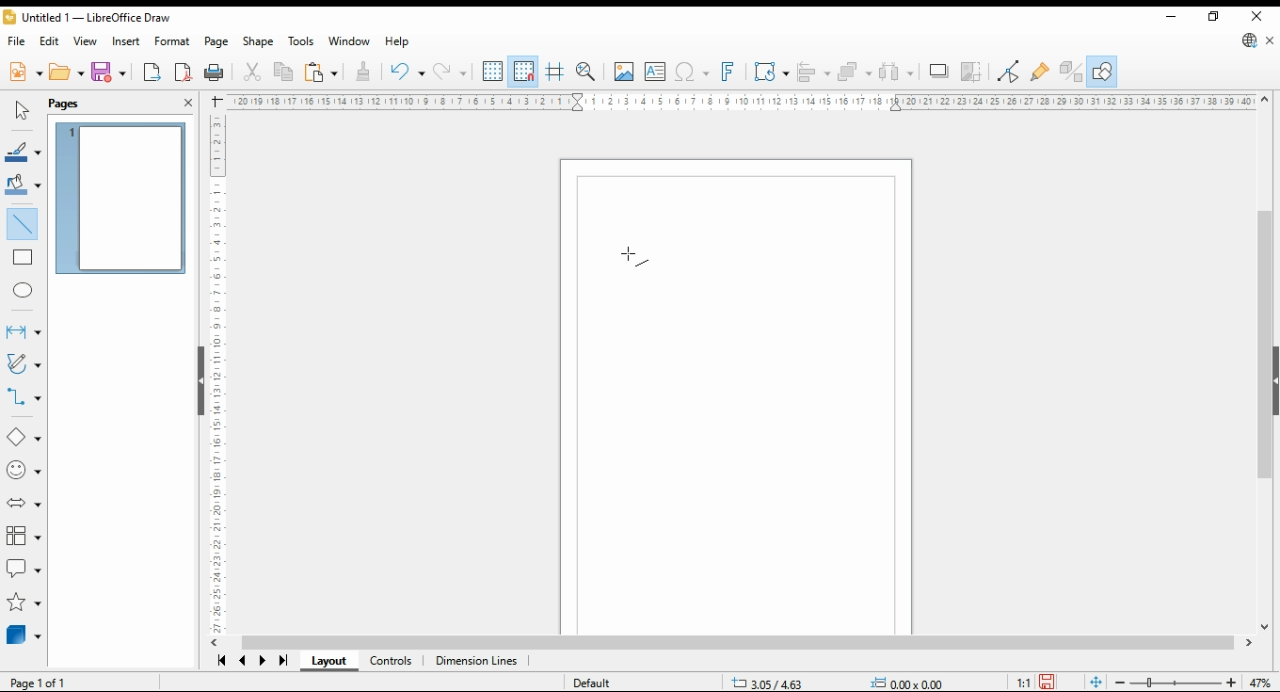 The image size is (1280, 692). I want to click on symbol shapes, so click(25, 471).